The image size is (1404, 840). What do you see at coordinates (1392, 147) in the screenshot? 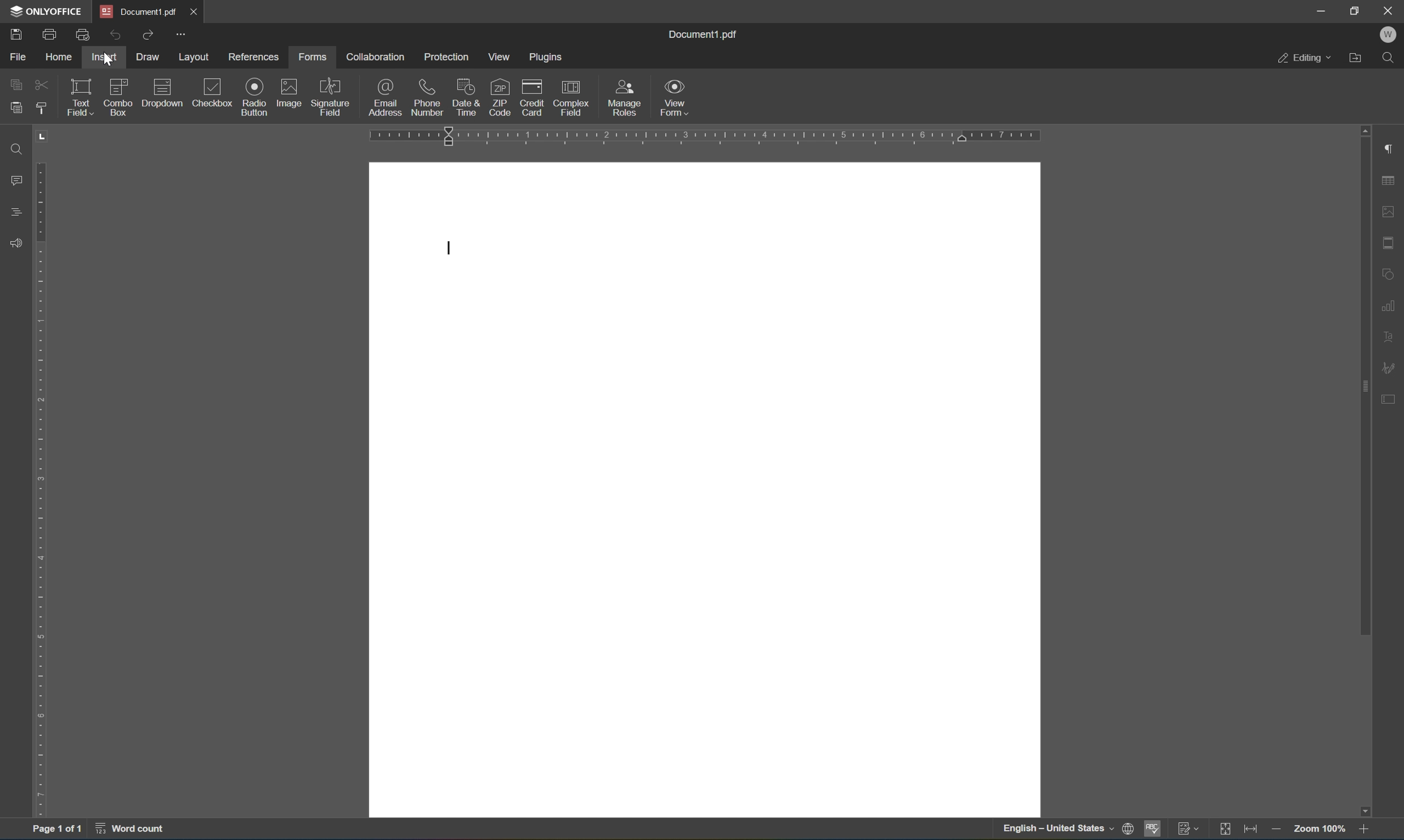
I see `Paragraph settings` at bounding box center [1392, 147].